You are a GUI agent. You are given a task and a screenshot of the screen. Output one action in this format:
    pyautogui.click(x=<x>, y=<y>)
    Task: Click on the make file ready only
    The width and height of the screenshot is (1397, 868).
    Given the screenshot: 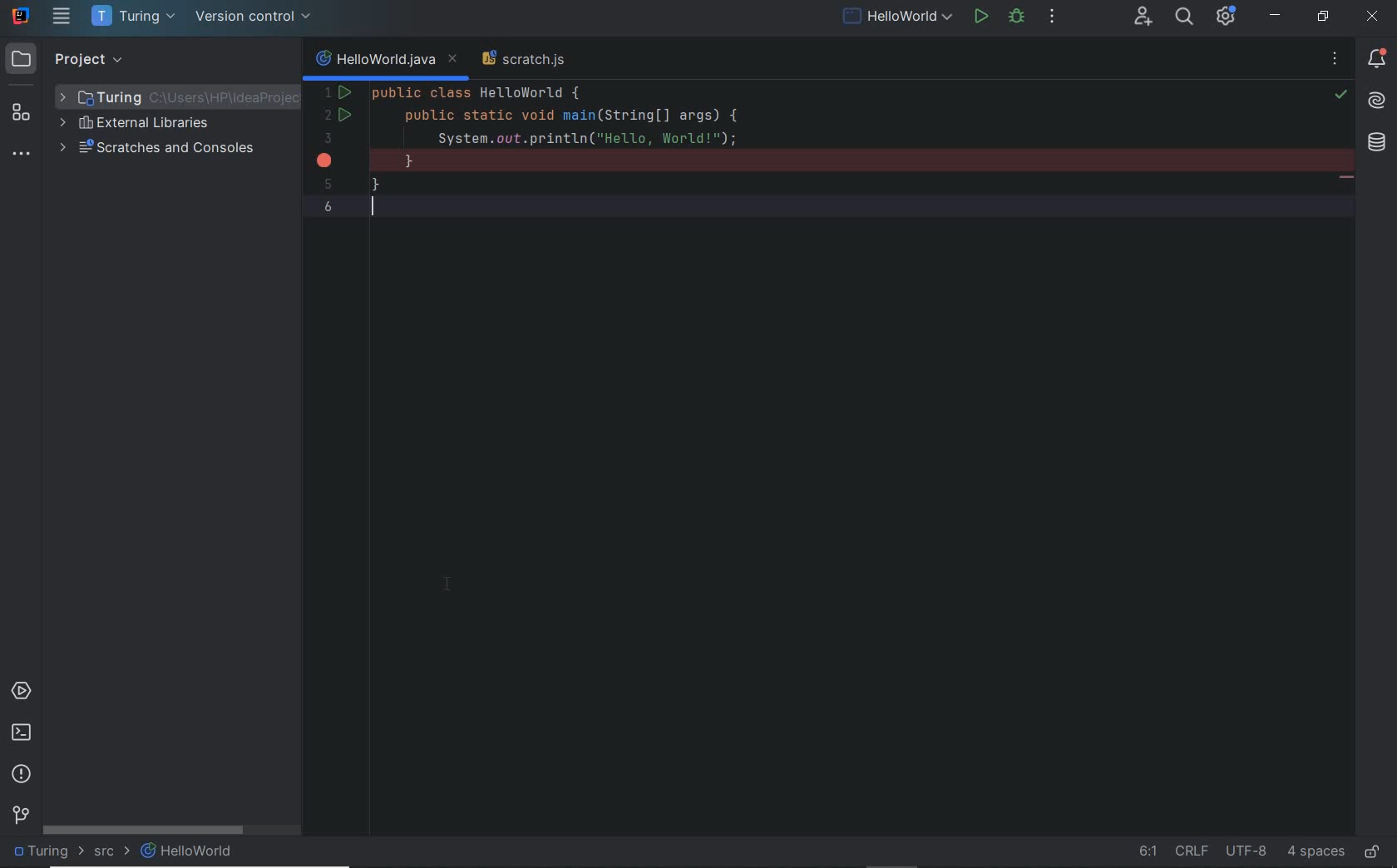 What is the action you would take?
    pyautogui.click(x=1375, y=852)
    